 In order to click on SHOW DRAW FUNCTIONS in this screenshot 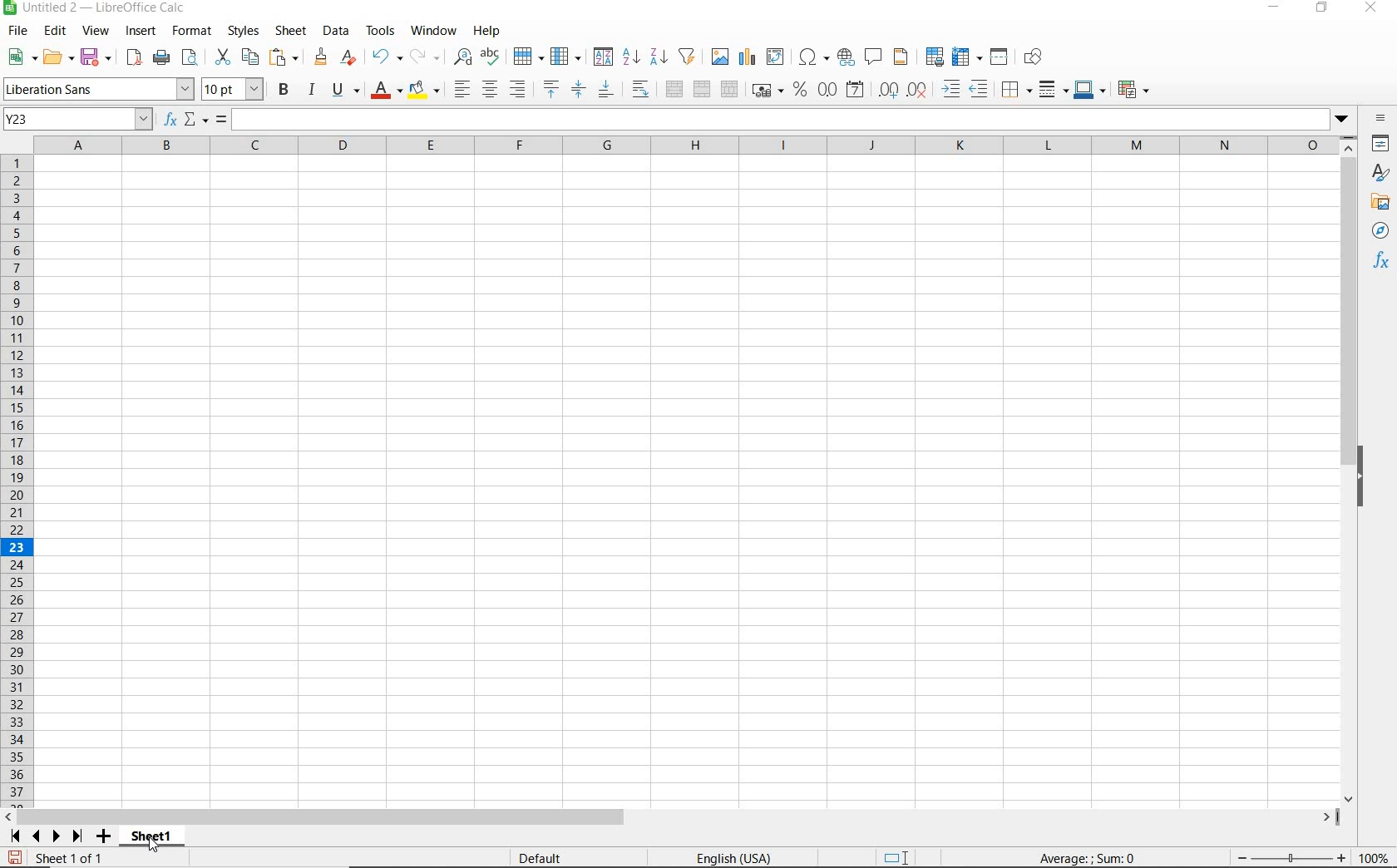, I will do `click(1034, 57)`.